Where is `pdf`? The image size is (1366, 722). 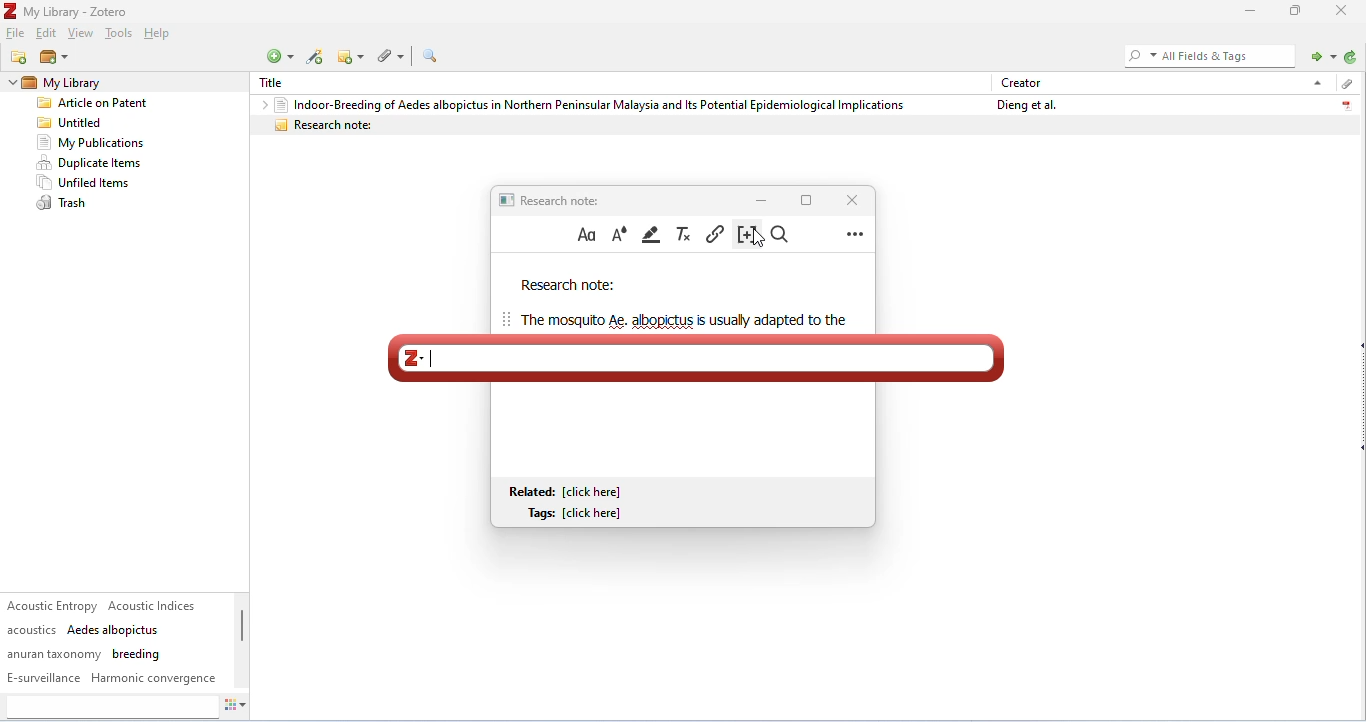 pdf is located at coordinates (1346, 103).